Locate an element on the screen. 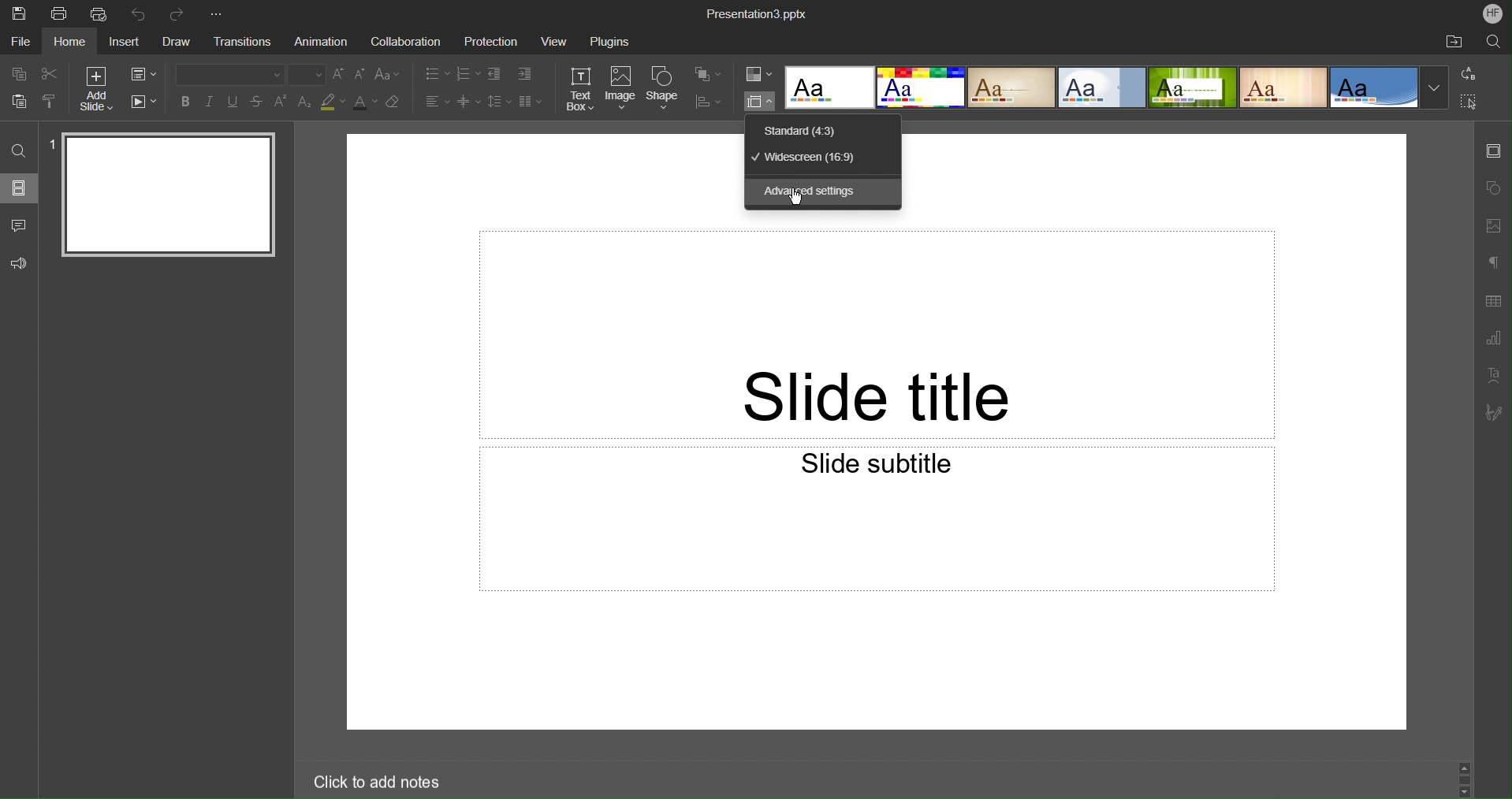  Print is located at coordinates (59, 13).